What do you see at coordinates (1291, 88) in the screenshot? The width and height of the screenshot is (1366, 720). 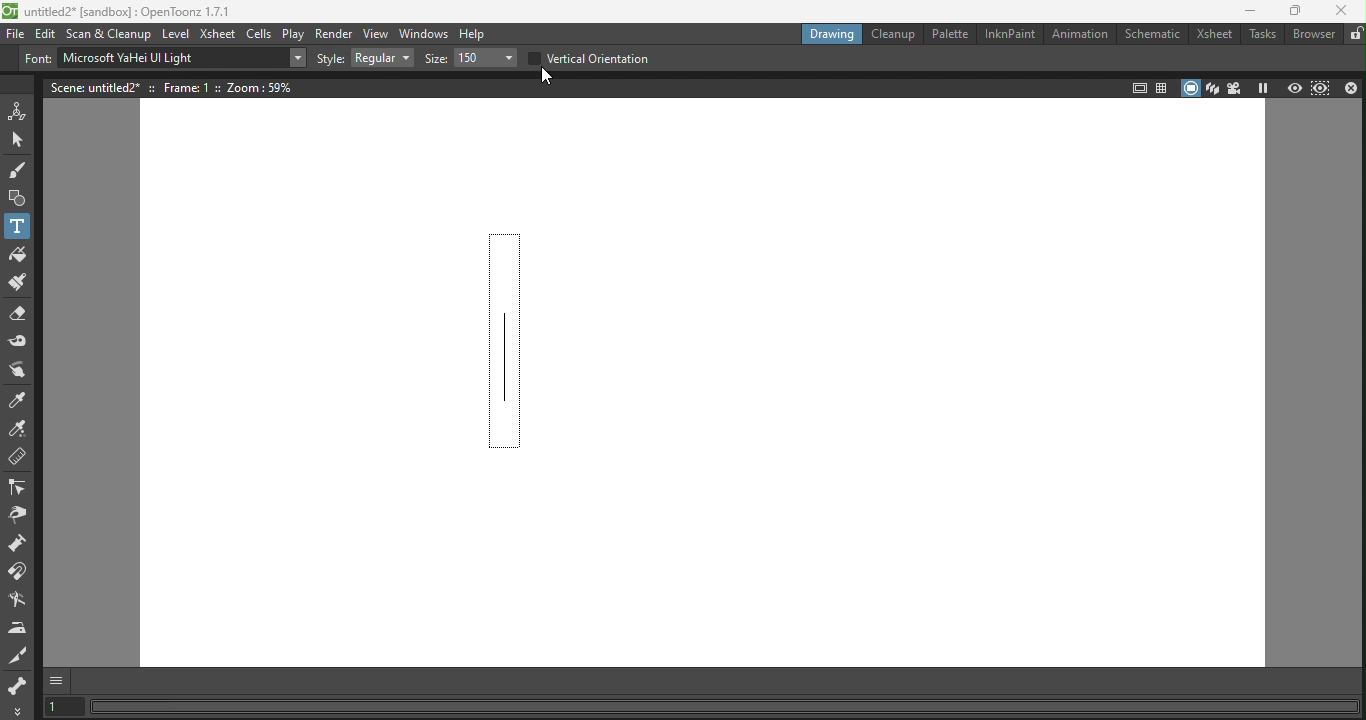 I see `Preview` at bounding box center [1291, 88].